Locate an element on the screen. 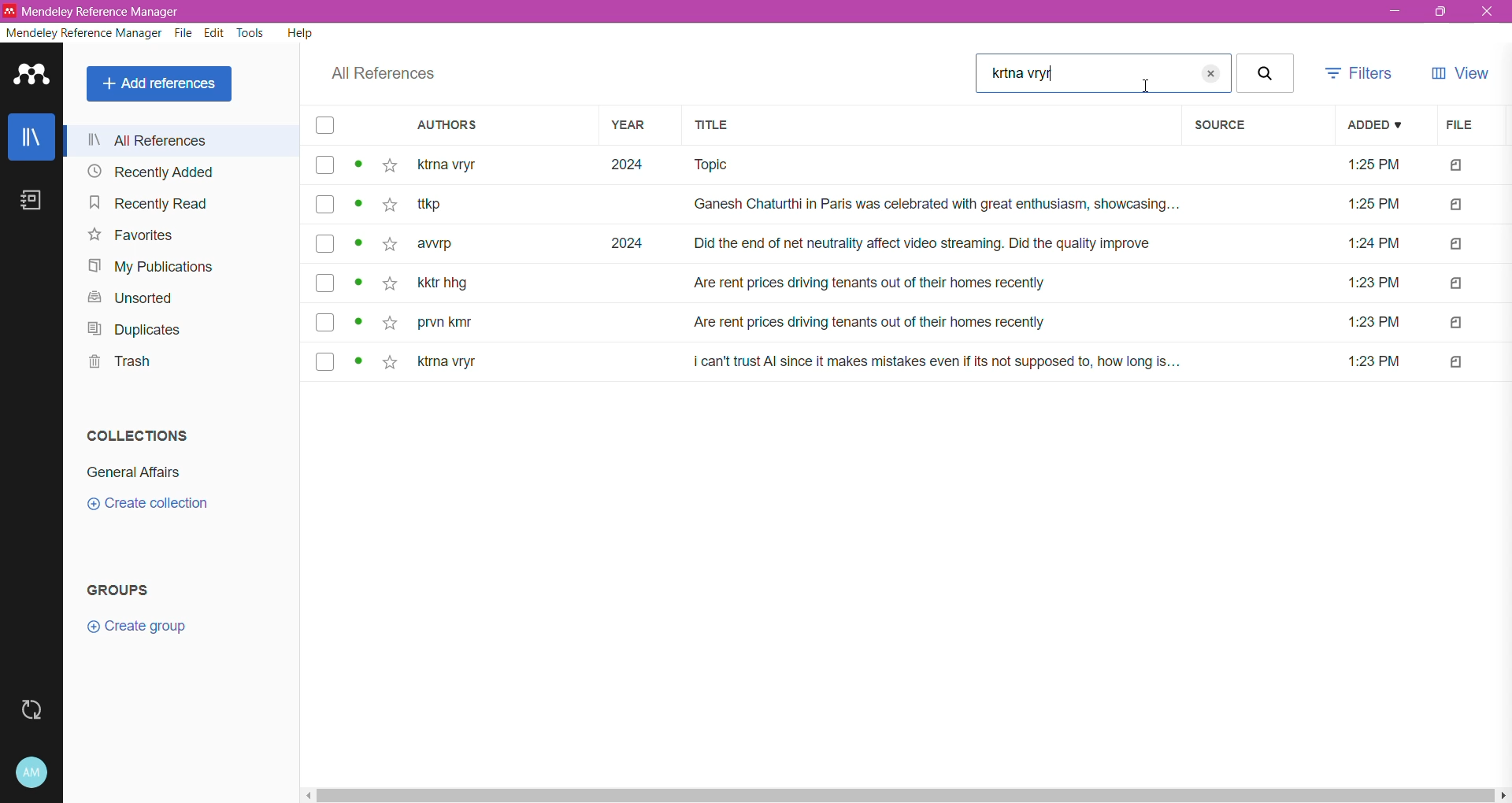 The image size is (1512, 803). select file is located at coordinates (322, 321).